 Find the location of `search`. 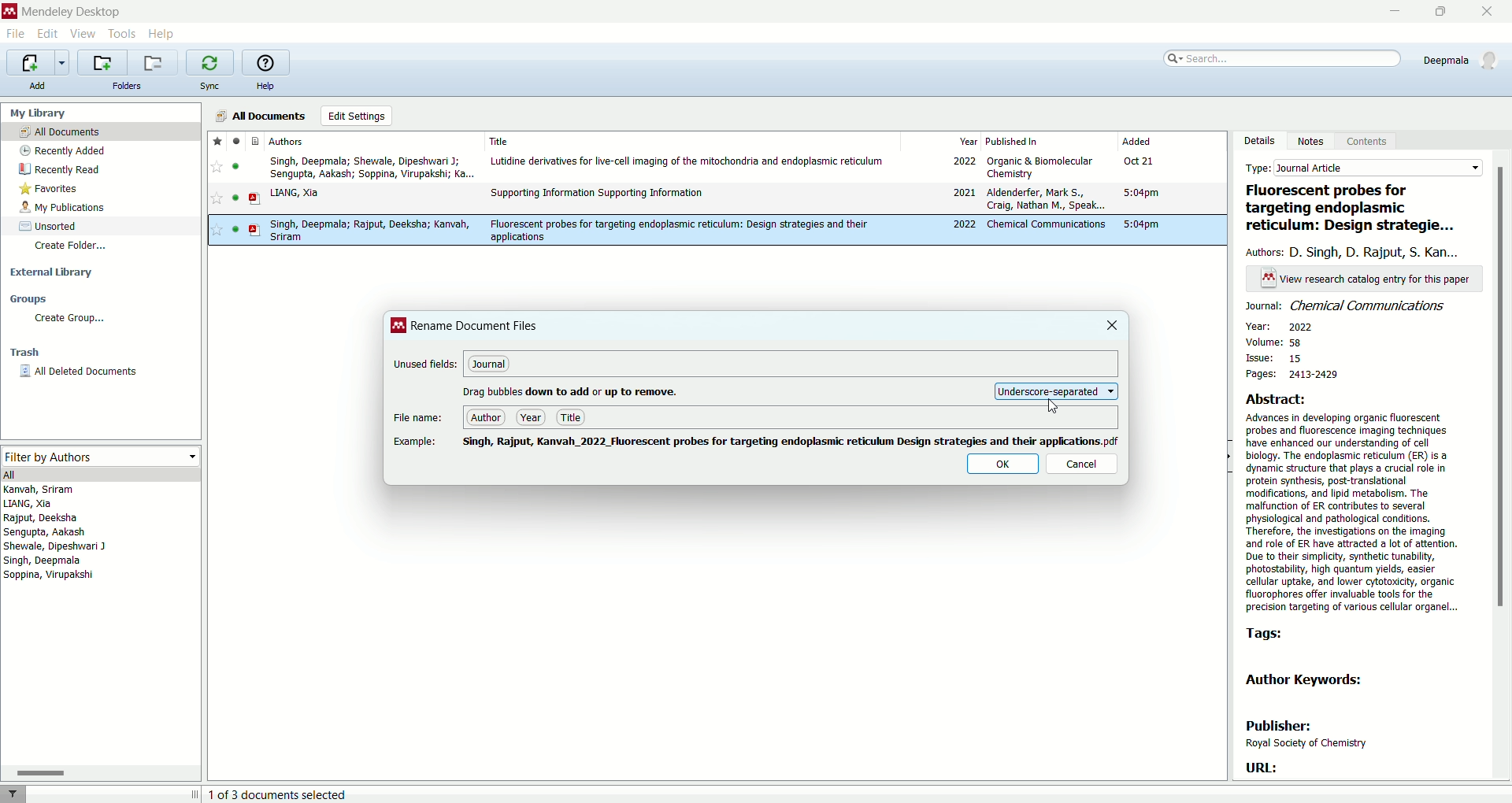

search is located at coordinates (1280, 62).